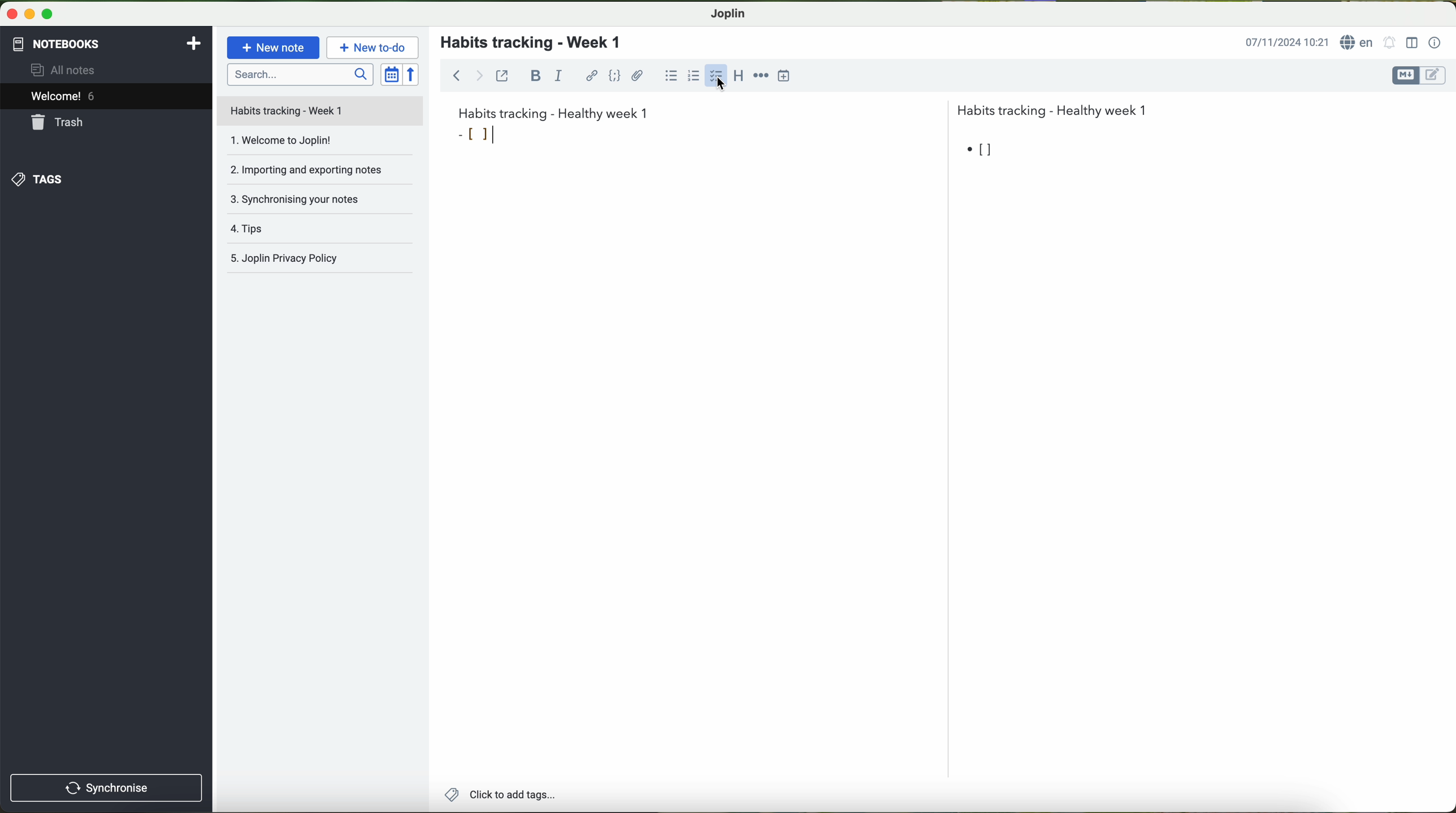 This screenshot has height=813, width=1456. Describe the element at coordinates (63, 96) in the screenshot. I see `welcome 5` at that location.